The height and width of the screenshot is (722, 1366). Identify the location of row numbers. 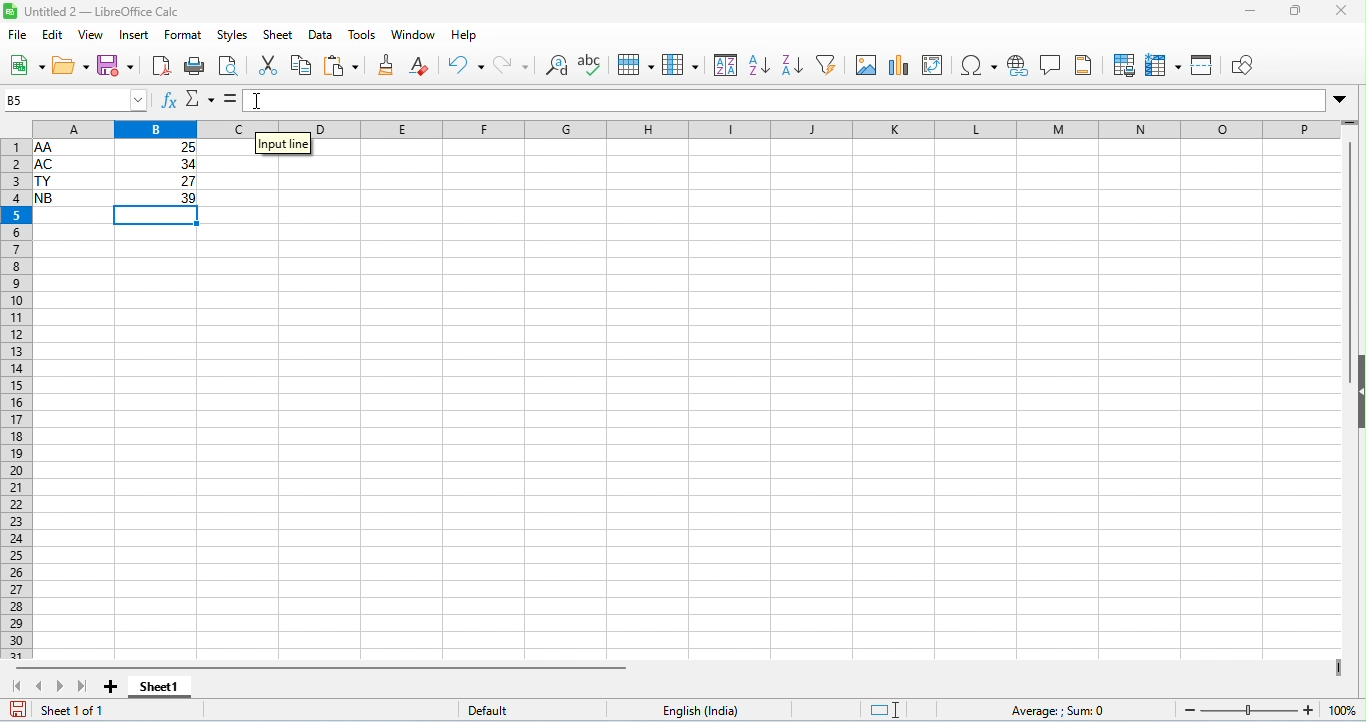
(14, 399).